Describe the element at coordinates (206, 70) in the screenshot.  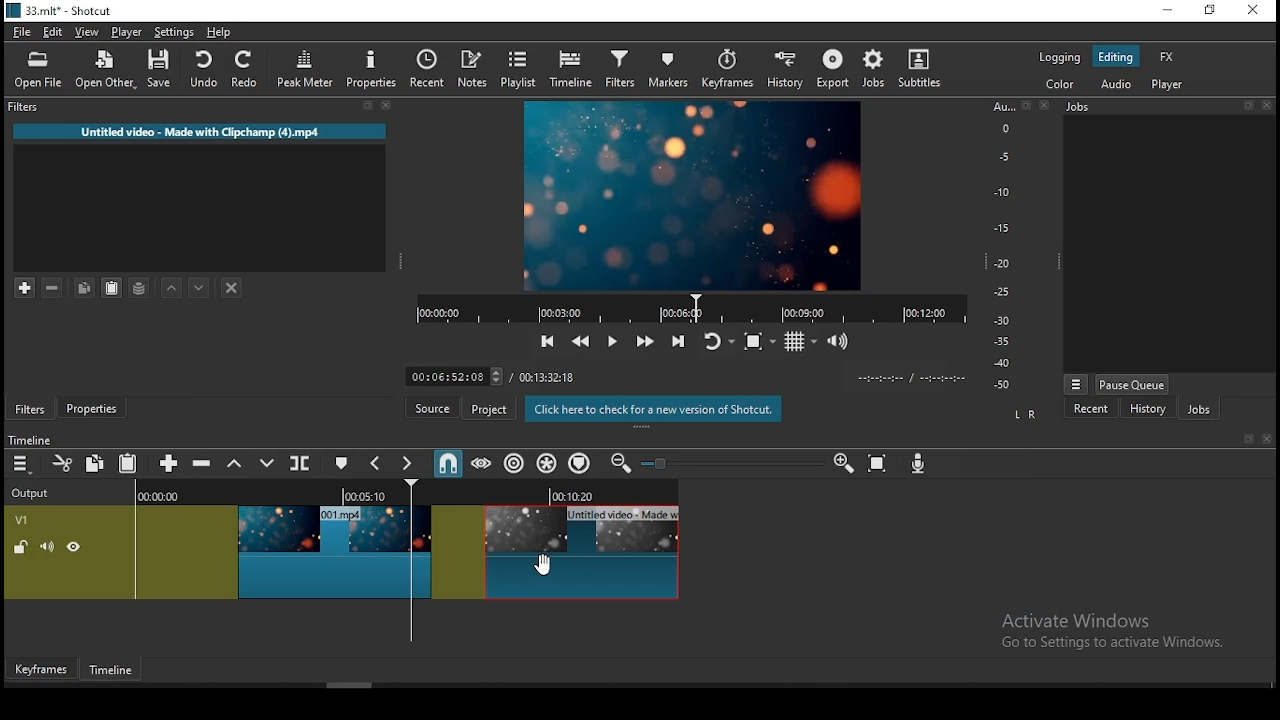
I see `undo` at that location.